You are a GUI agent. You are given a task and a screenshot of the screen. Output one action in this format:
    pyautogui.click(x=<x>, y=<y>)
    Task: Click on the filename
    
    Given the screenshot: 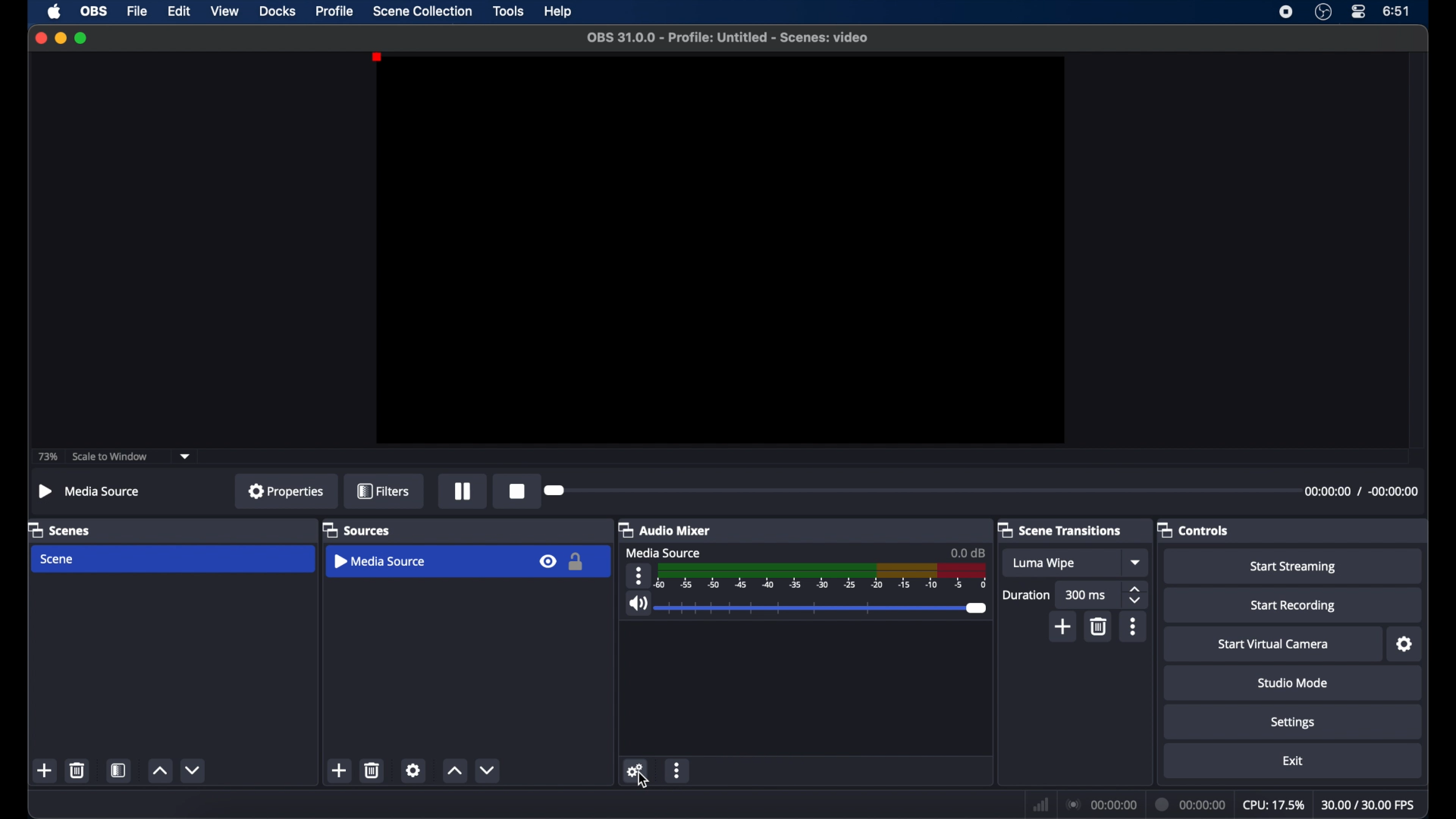 What is the action you would take?
    pyautogui.click(x=729, y=38)
    